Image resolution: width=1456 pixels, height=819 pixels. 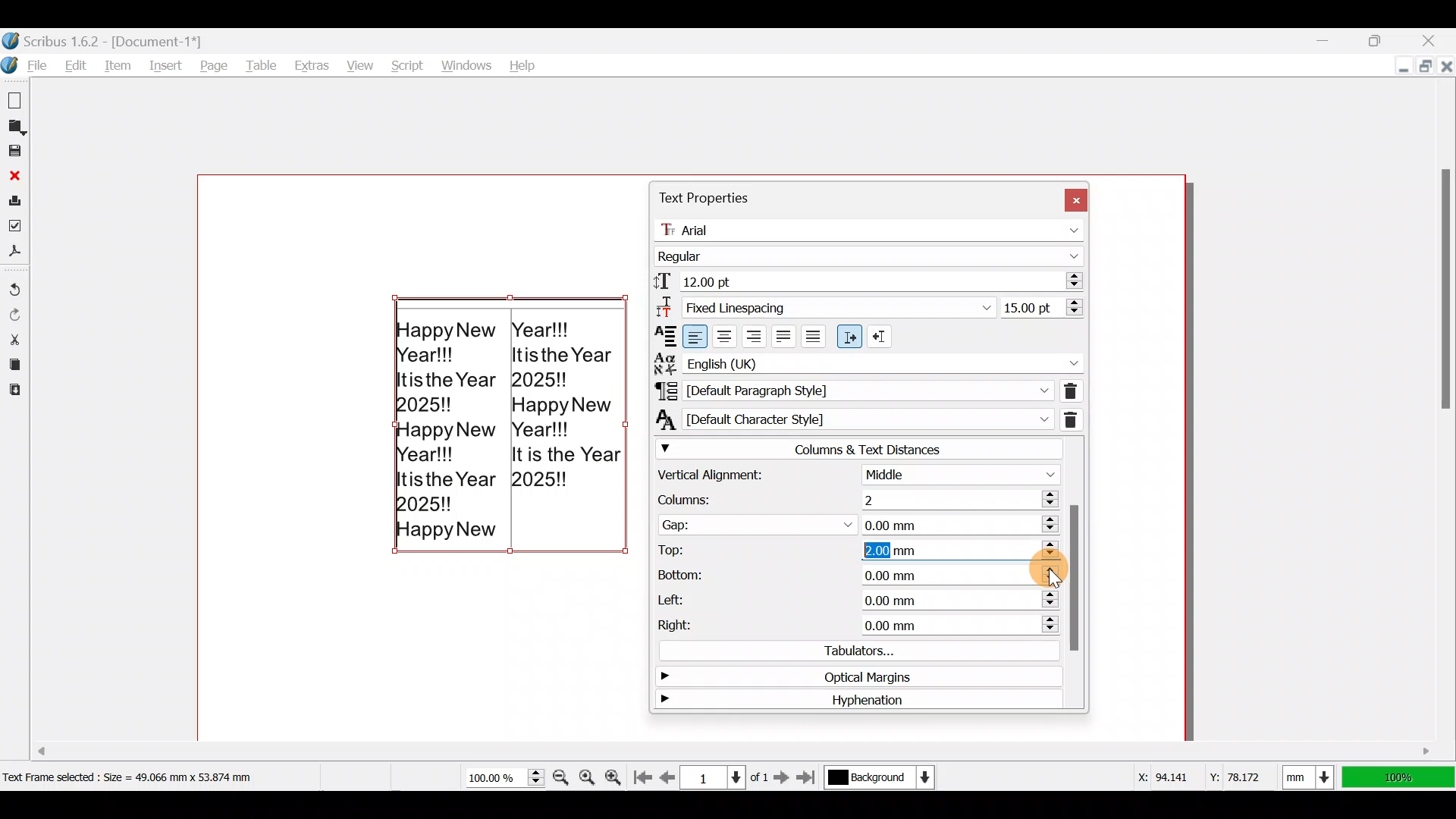 What do you see at coordinates (77, 65) in the screenshot?
I see `Edit` at bounding box center [77, 65].